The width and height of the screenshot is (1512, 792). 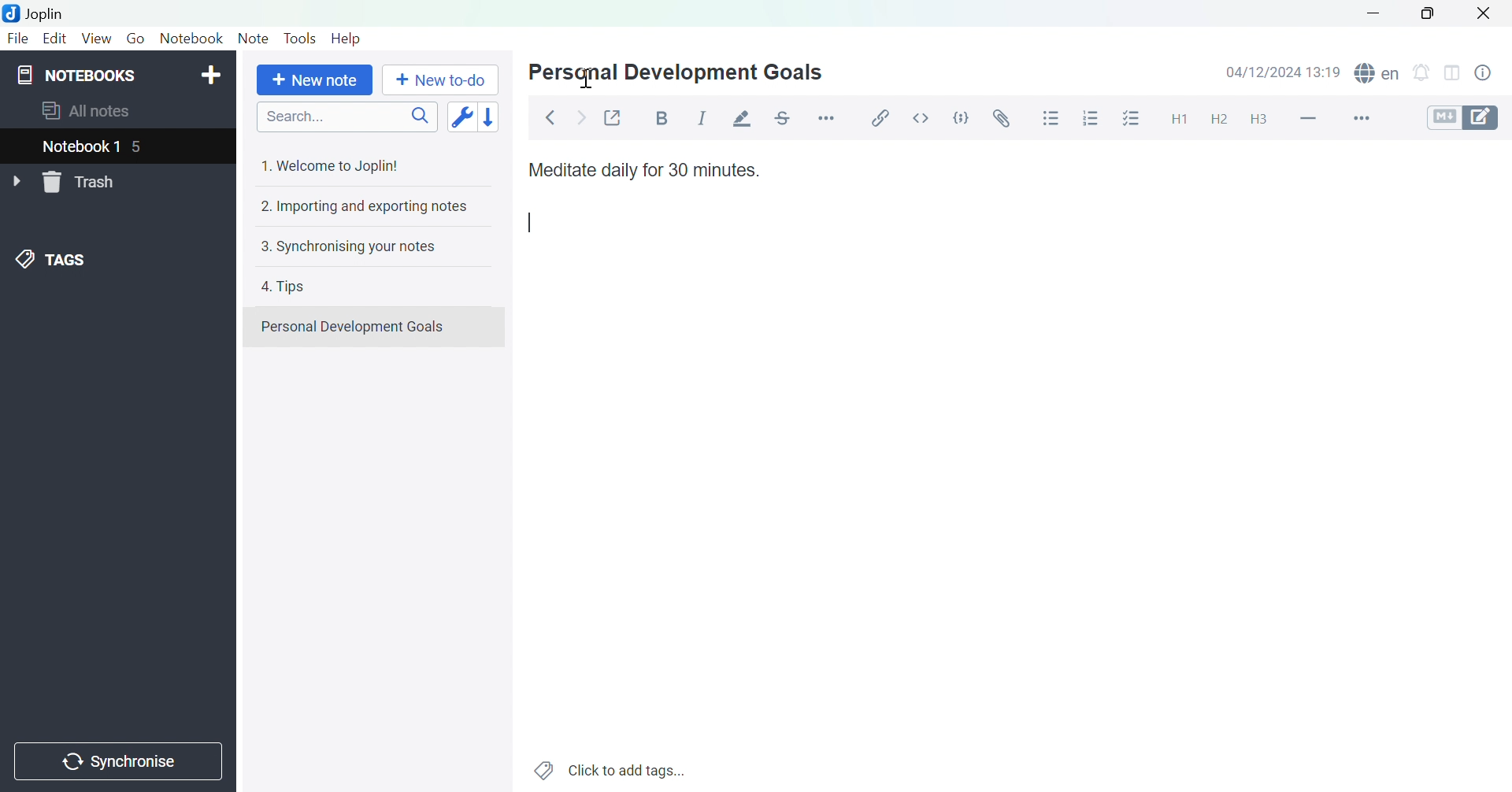 I want to click on Close, so click(x=1484, y=13).